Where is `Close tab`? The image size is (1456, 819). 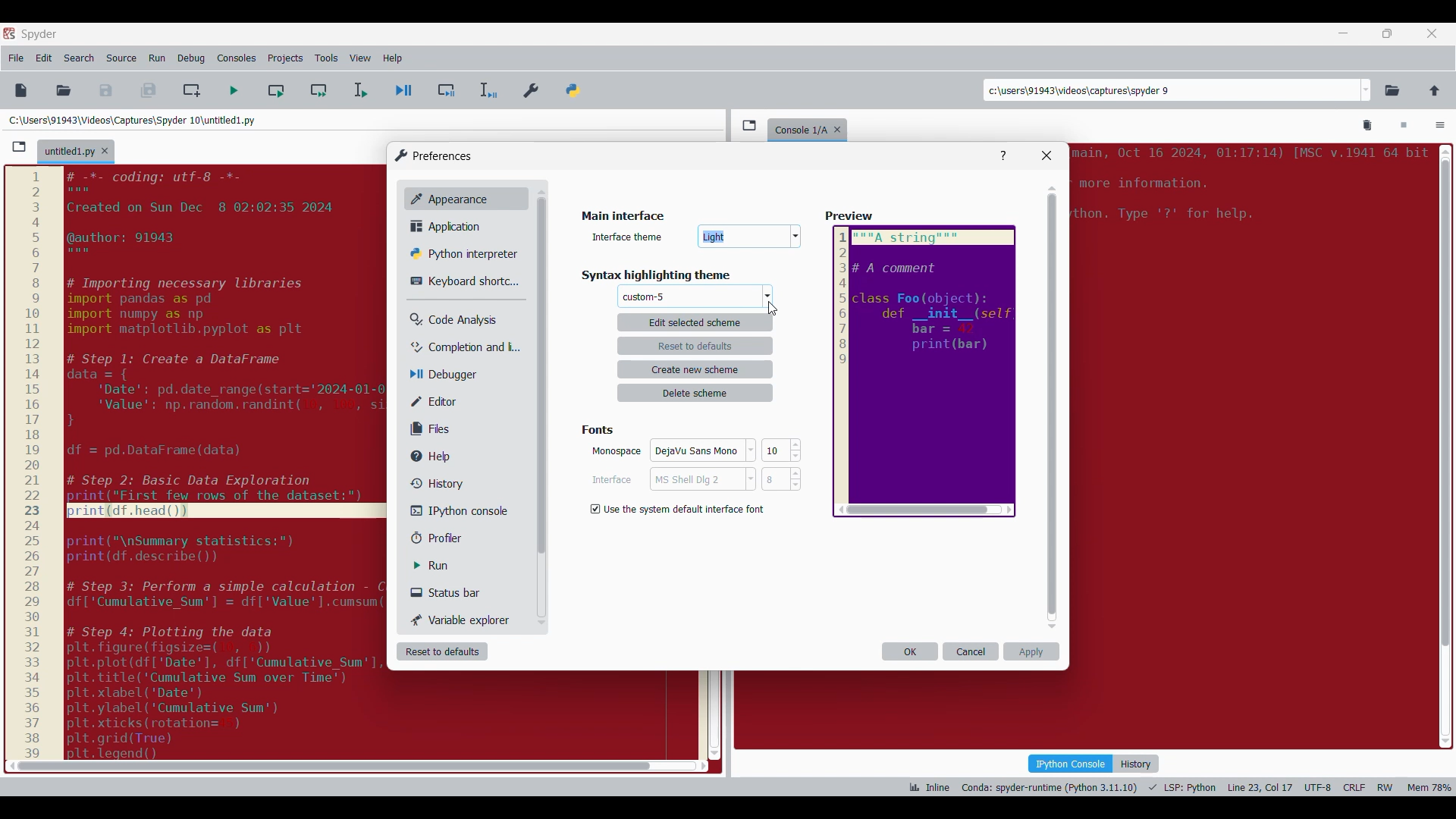 Close tab is located at coordinates (105, 151).